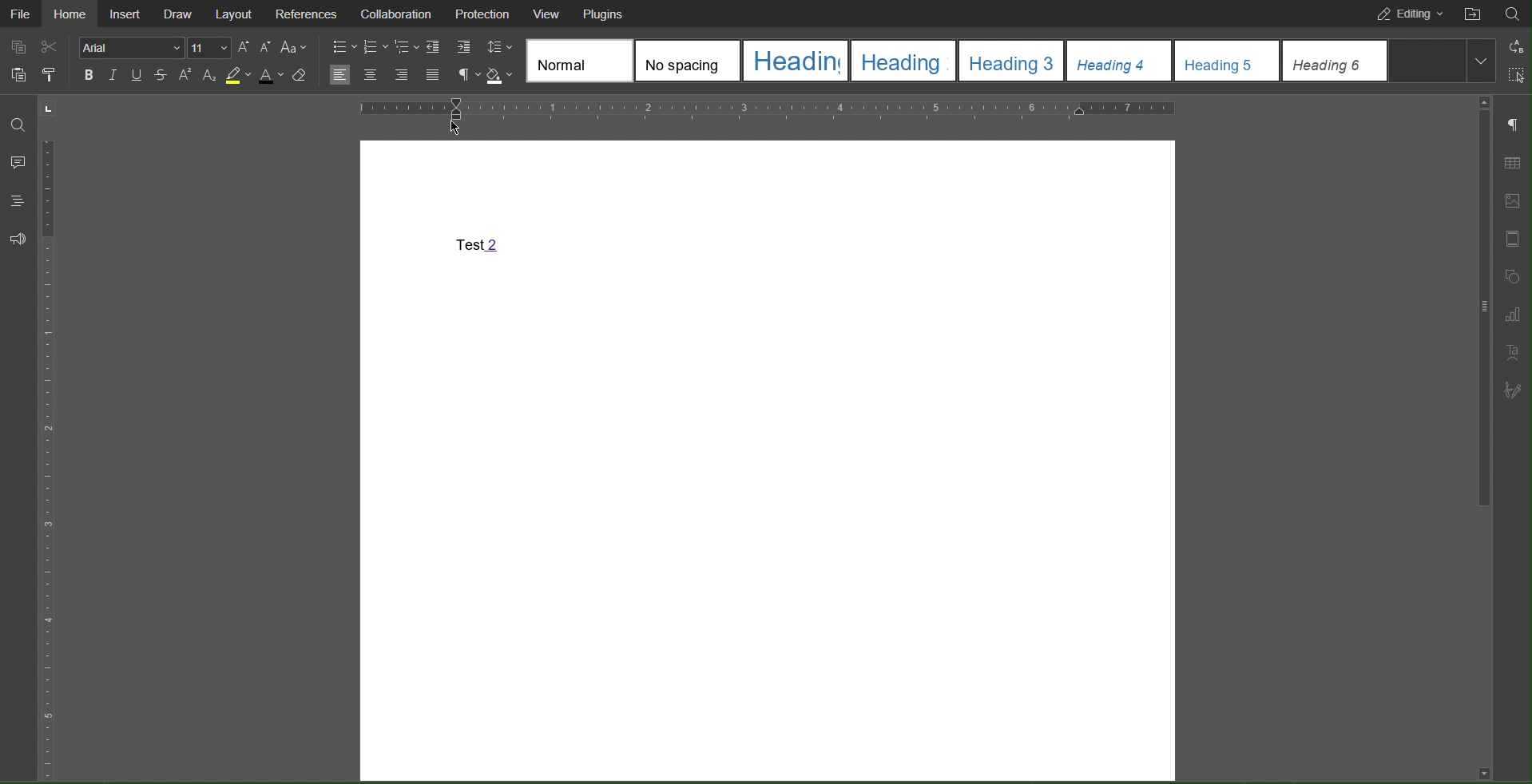 Image resolution: width=1532 pixels, height=784 pixels. Describe the element at coordinates (13, 46) in the screenshot. I see `Copy Paste Options` at that location.